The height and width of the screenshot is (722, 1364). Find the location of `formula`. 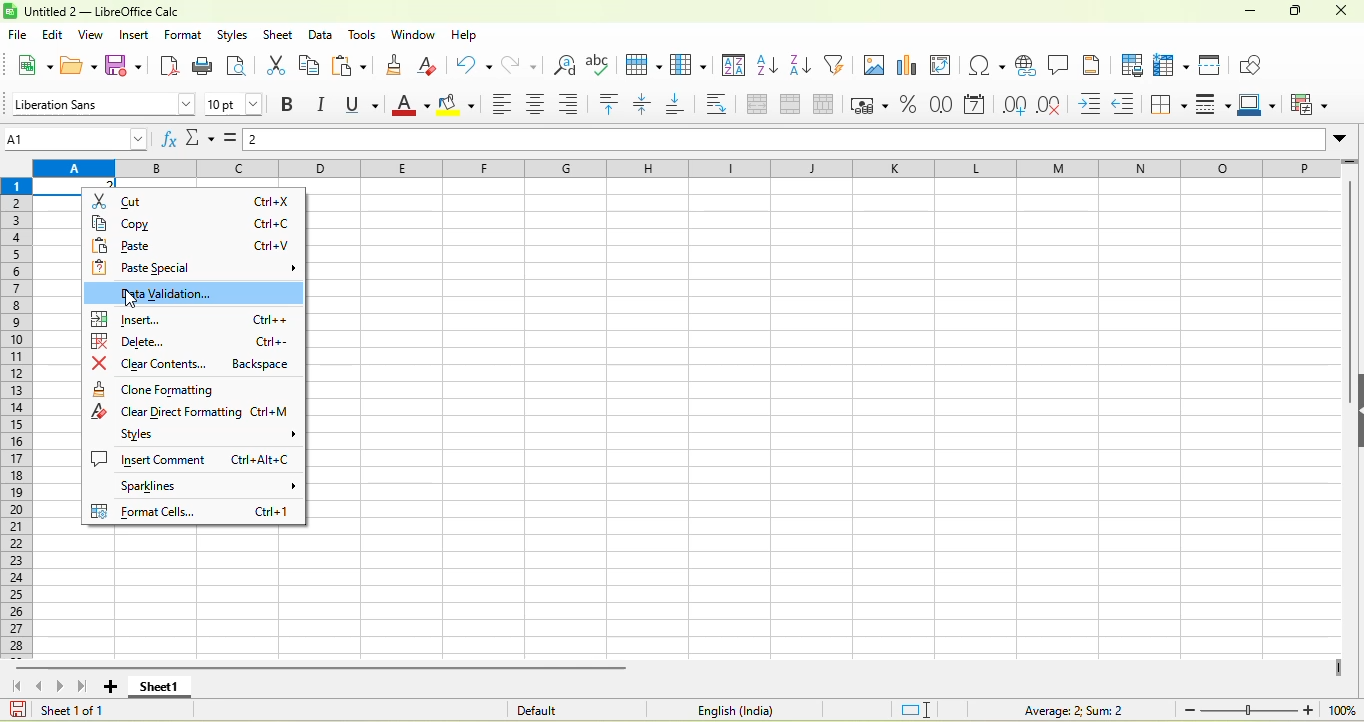

formula is located at coordinates (1079, 708).